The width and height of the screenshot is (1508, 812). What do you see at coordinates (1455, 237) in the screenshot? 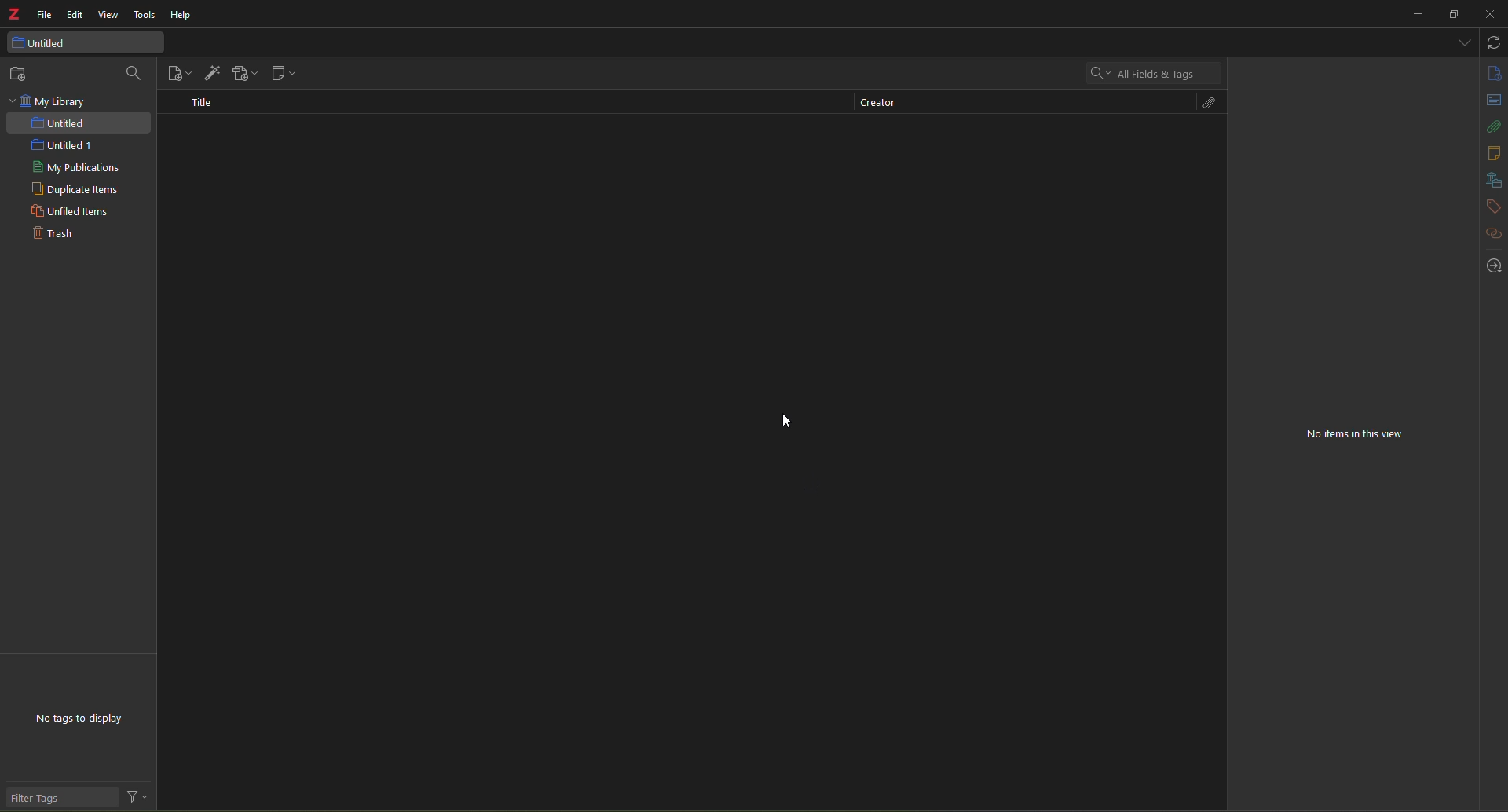
I see `add` at bounding box center [1455, 237].